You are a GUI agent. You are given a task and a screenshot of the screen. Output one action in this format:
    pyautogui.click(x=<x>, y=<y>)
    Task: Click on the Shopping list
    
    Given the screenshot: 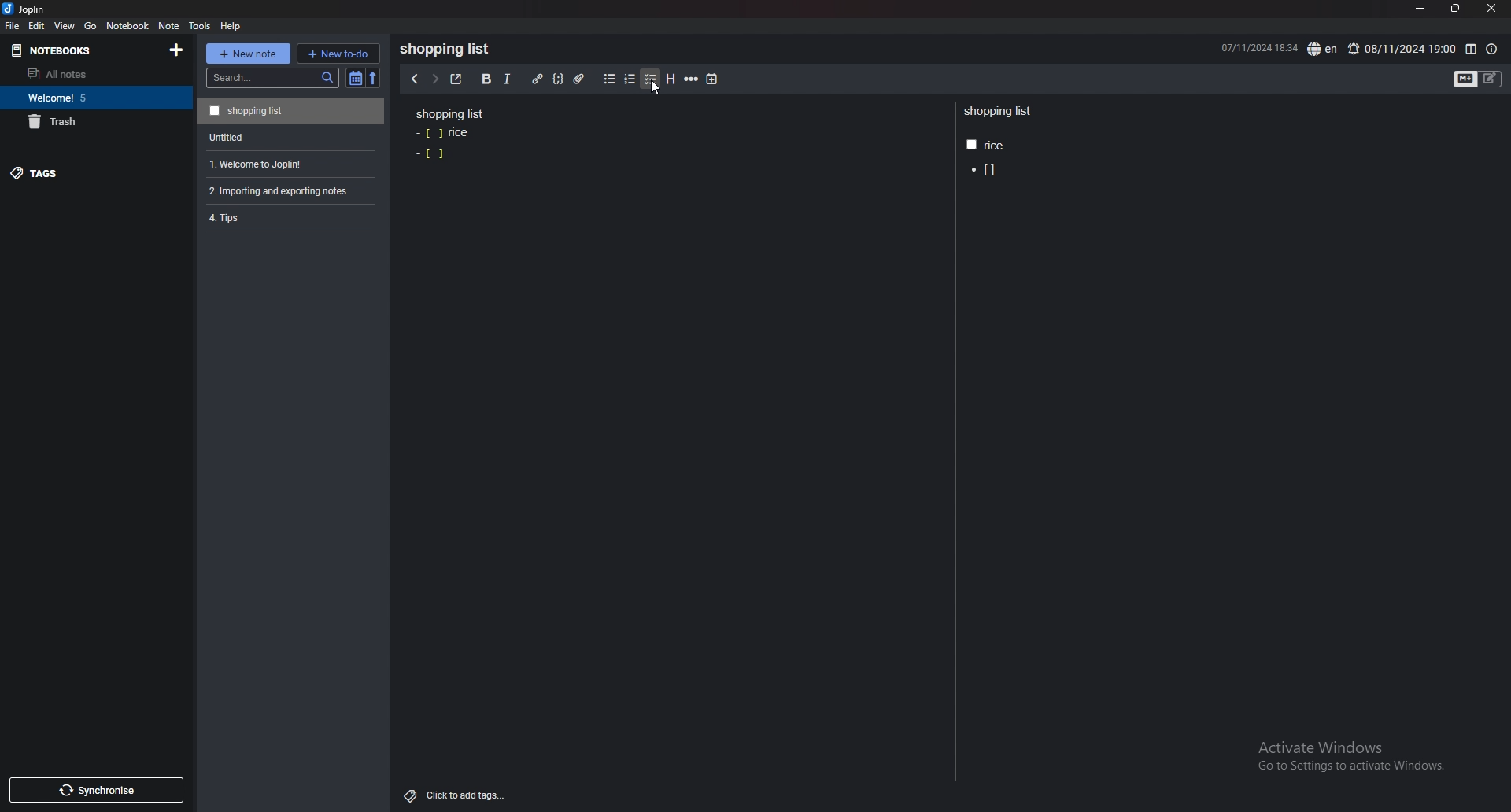 What is the action you would take?
    pyautogui.click(x=290, y=110)
    